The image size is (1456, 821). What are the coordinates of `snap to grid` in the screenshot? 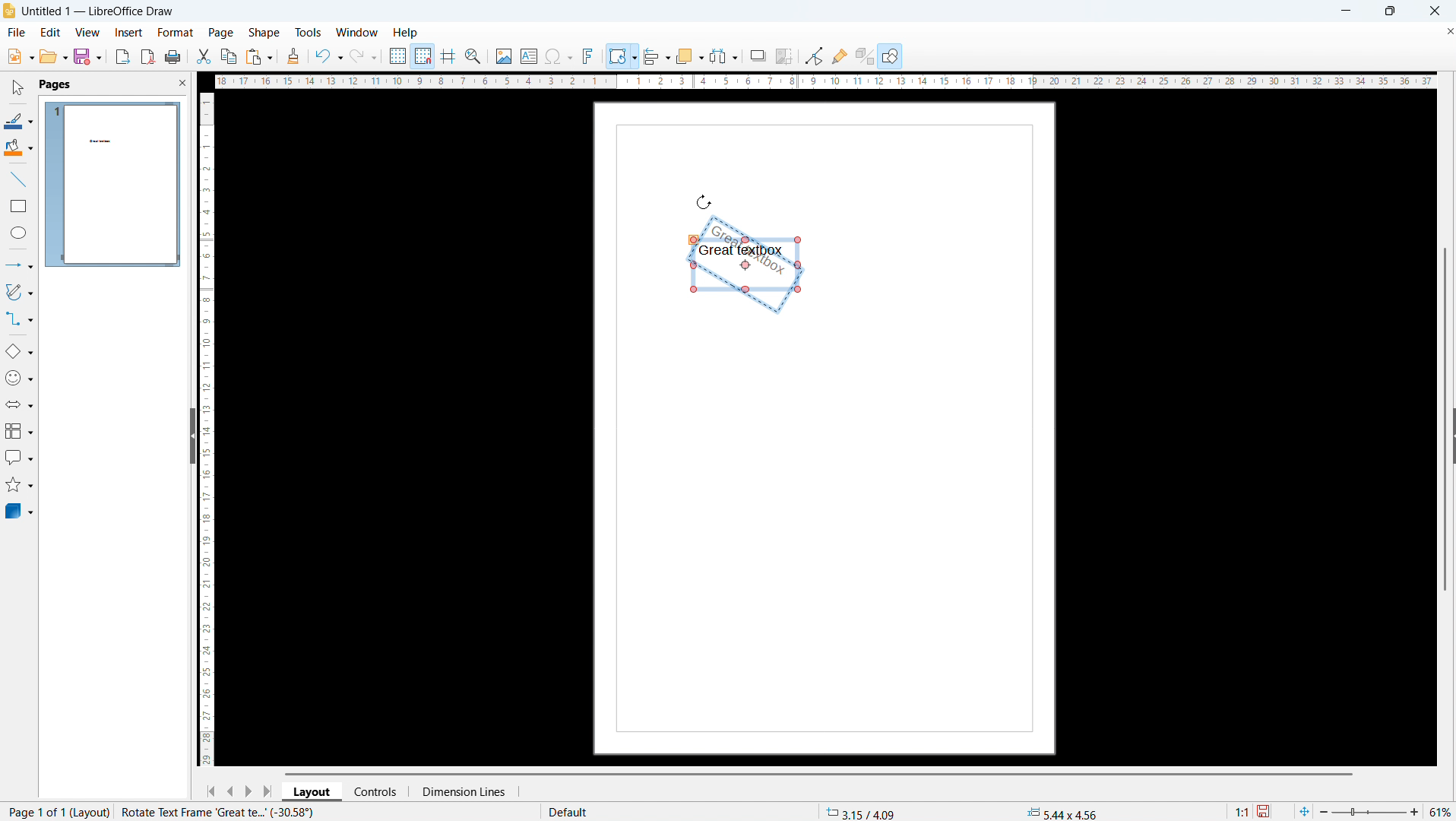 It's located at (423, 55).